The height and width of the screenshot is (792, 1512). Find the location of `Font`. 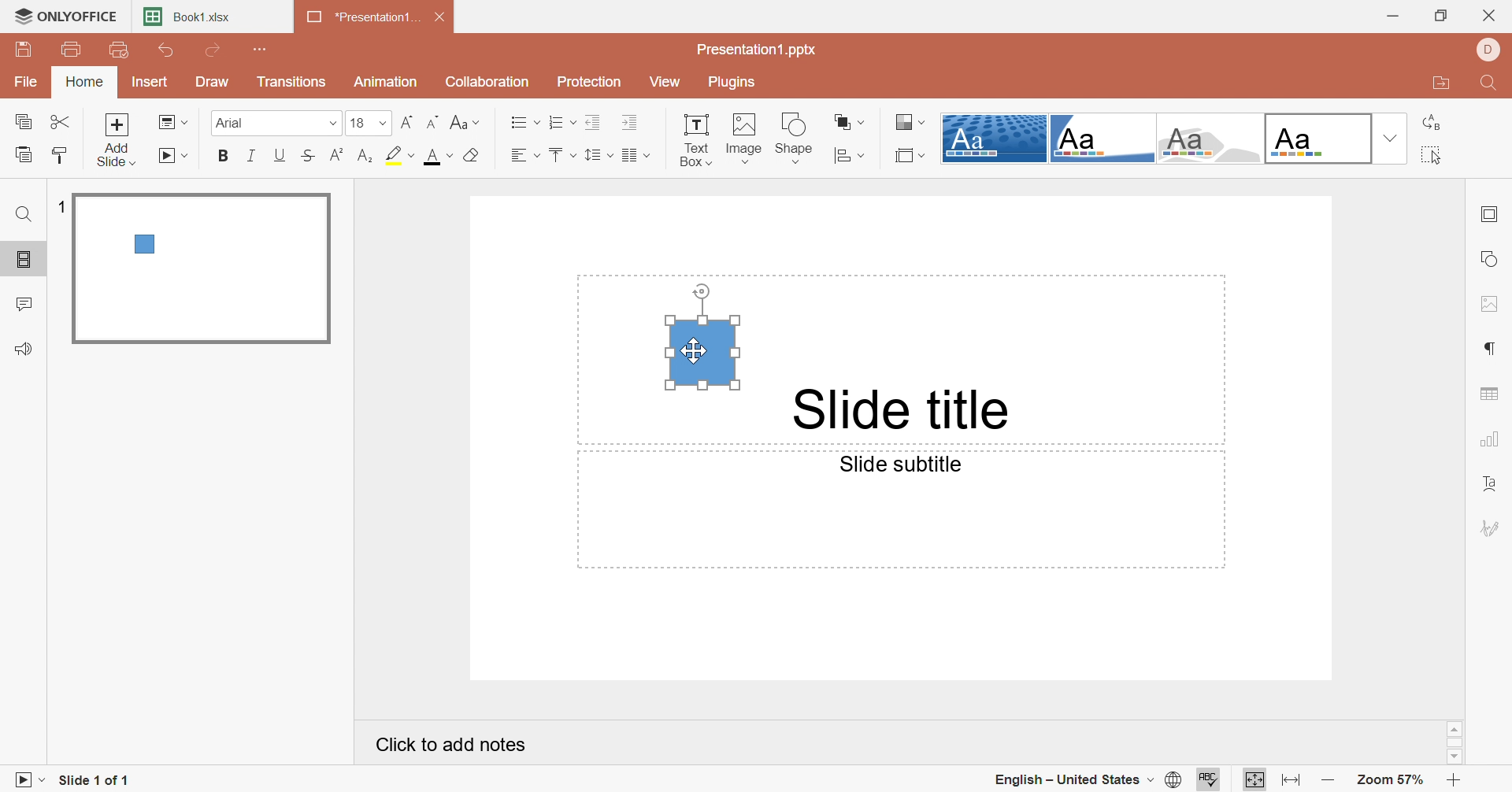

Font is located at coordinates (262, 124).